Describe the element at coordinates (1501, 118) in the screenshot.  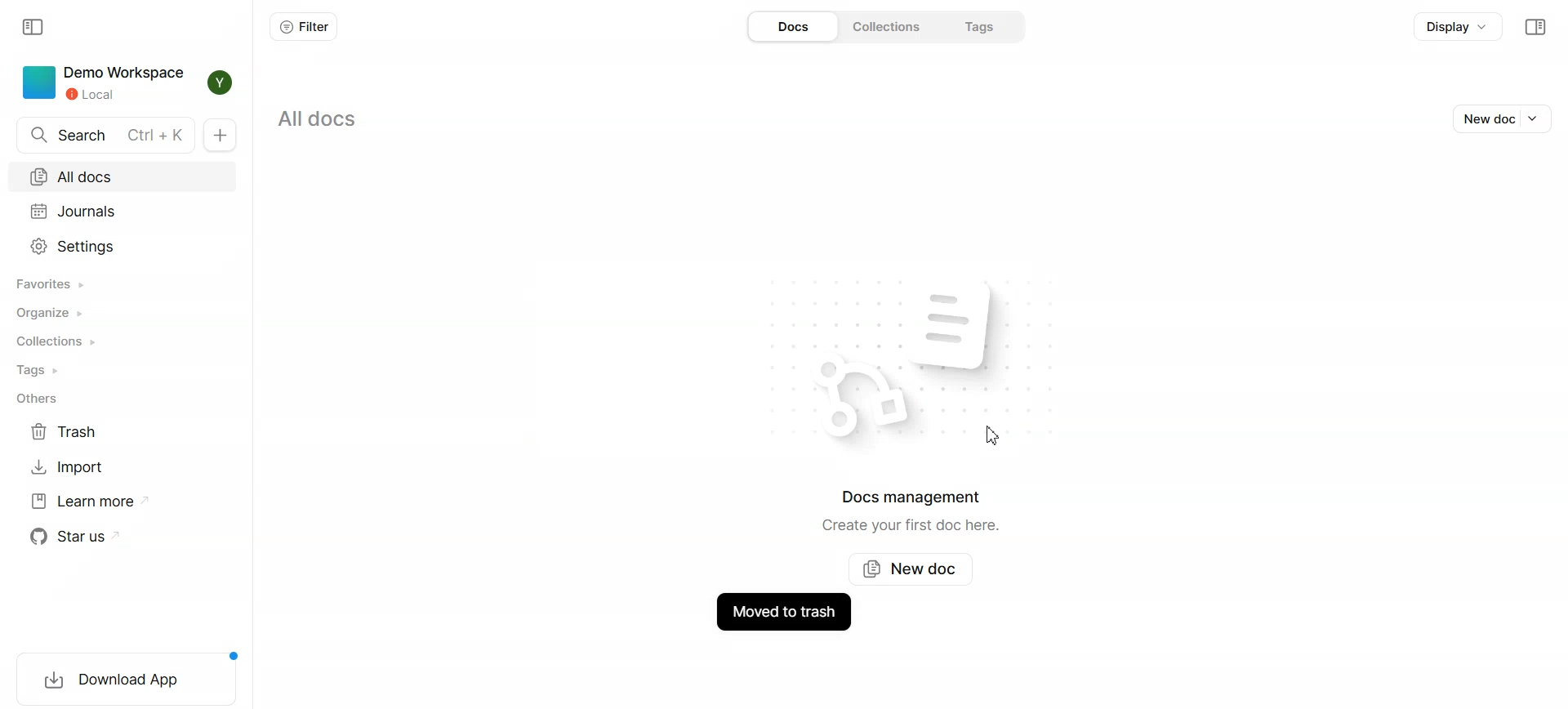
I see `New doc` at that location.